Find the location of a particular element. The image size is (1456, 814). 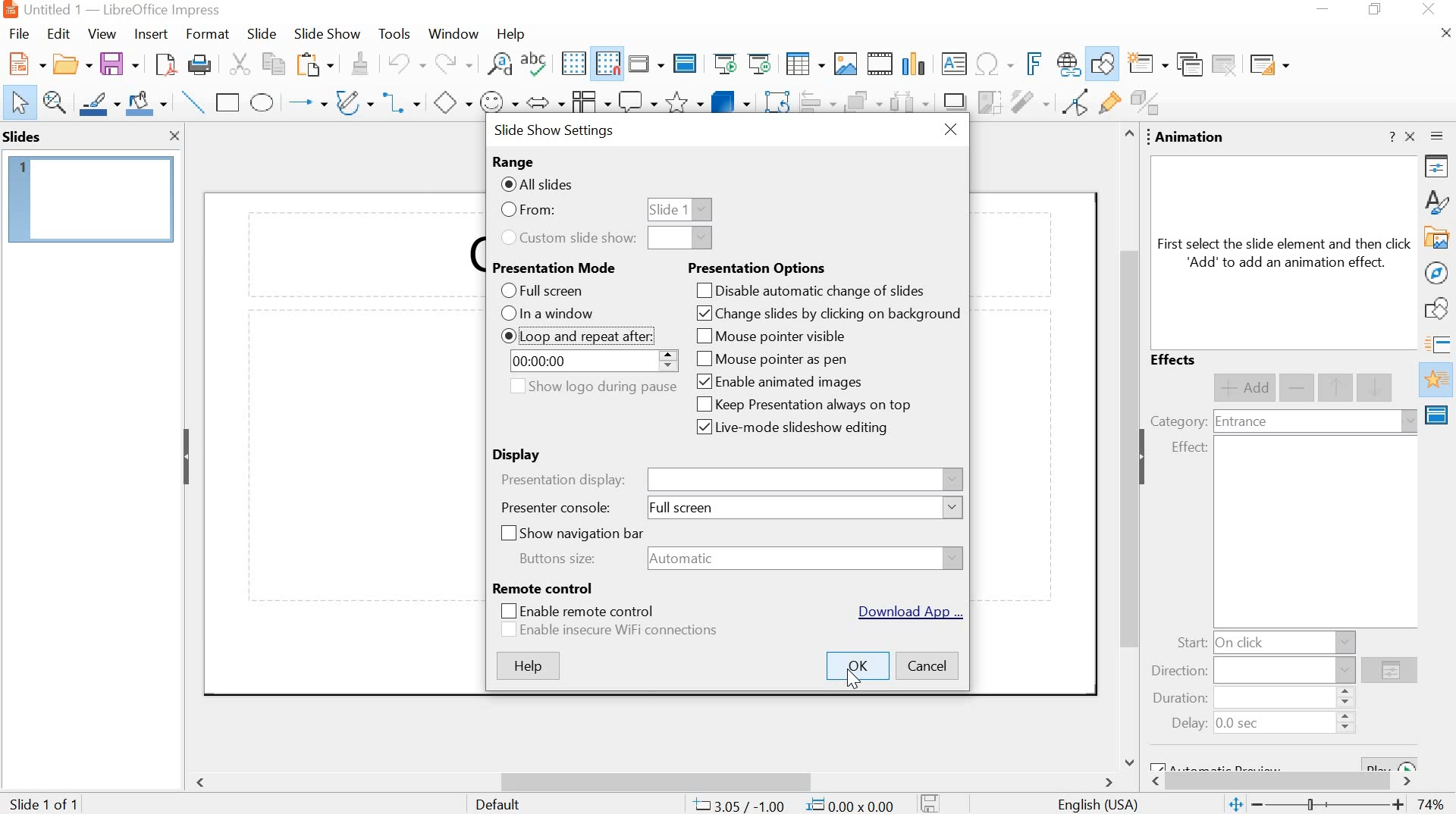

full screen is located at coordinates (686, 511).